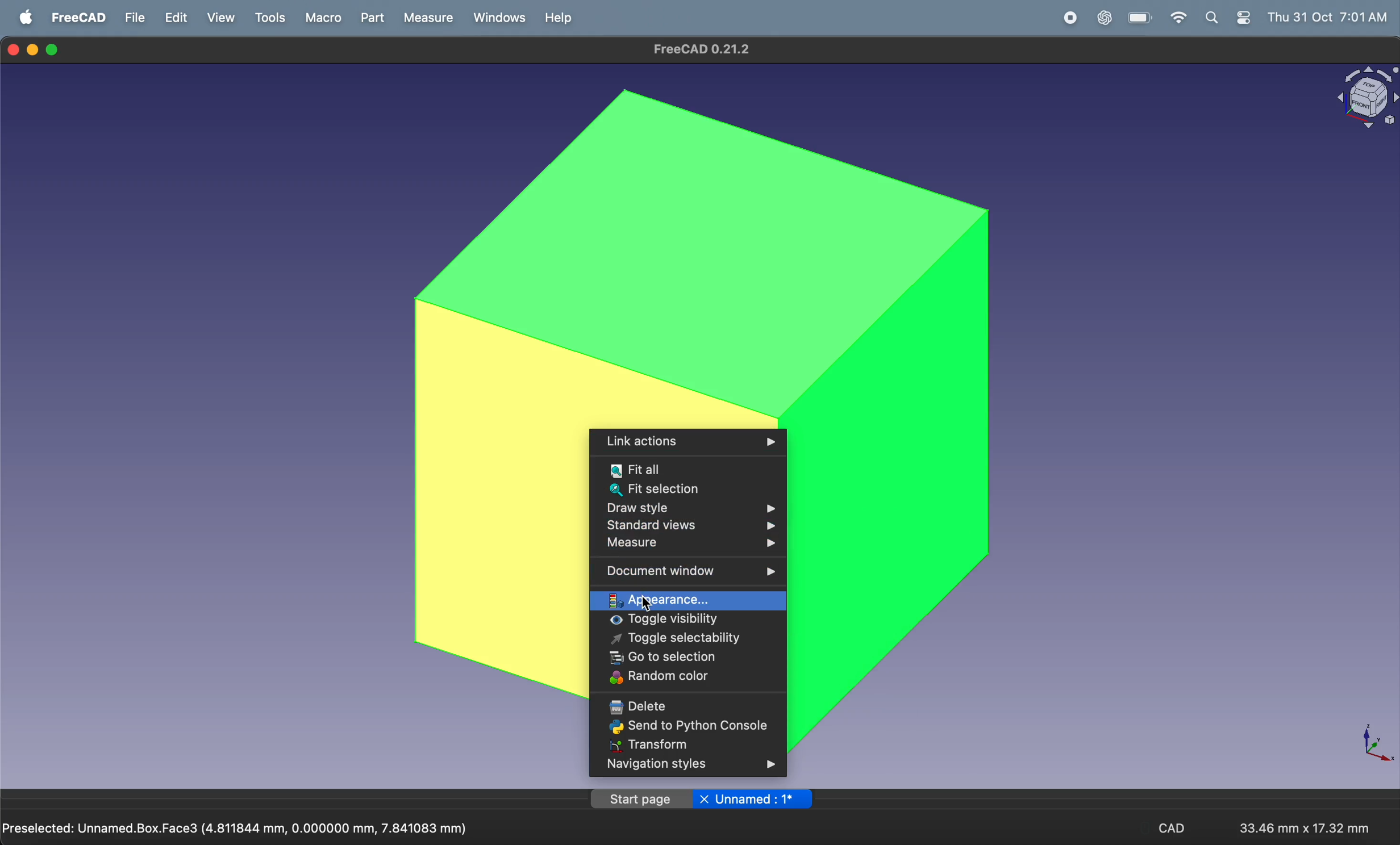 The width and height of the screenshot is (1400, 845). Describe the element at coordinates (1174, 18) in the screenshot. I see `wifi` at that location.